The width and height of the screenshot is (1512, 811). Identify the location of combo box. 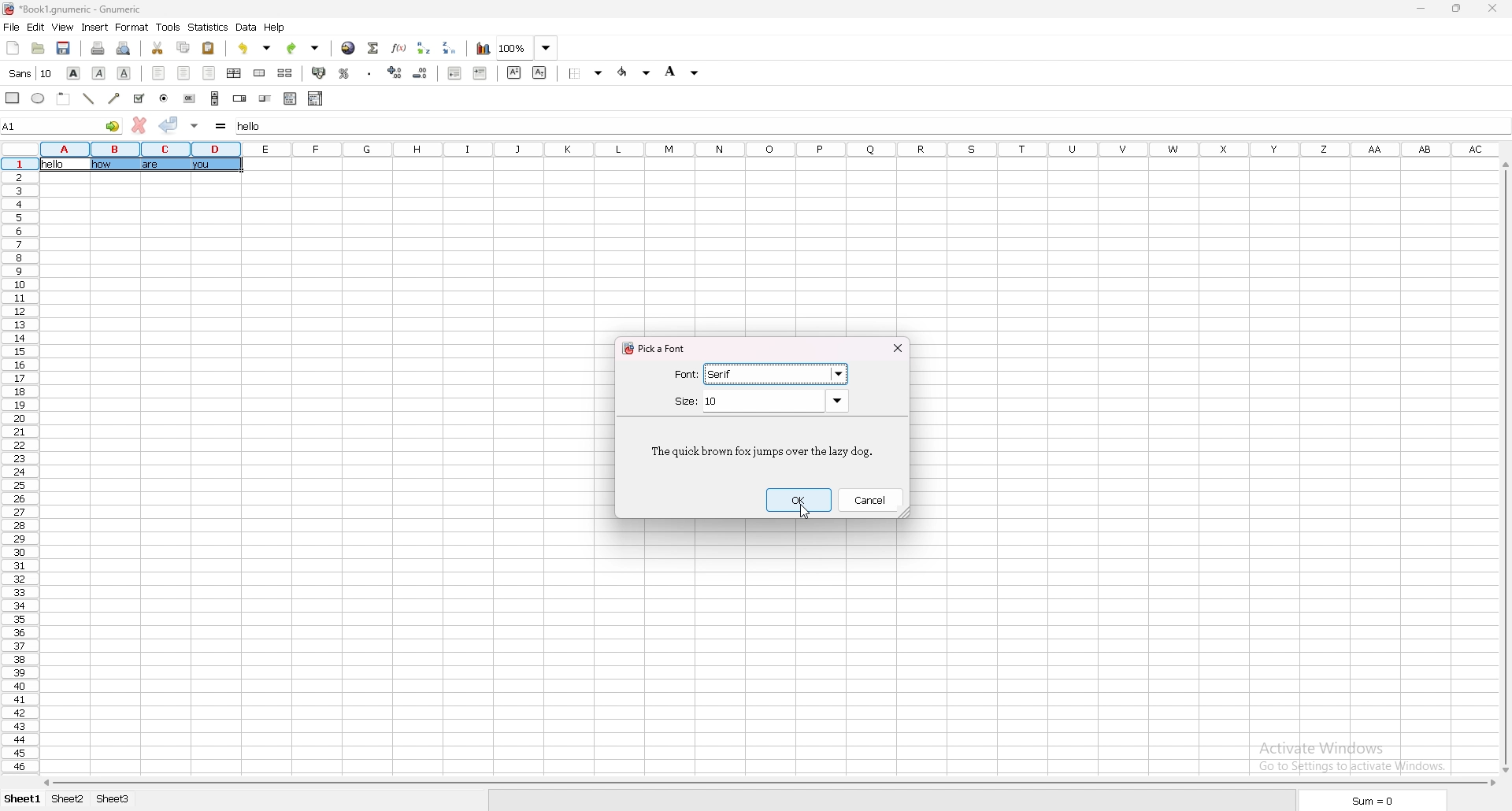
(316, 98).